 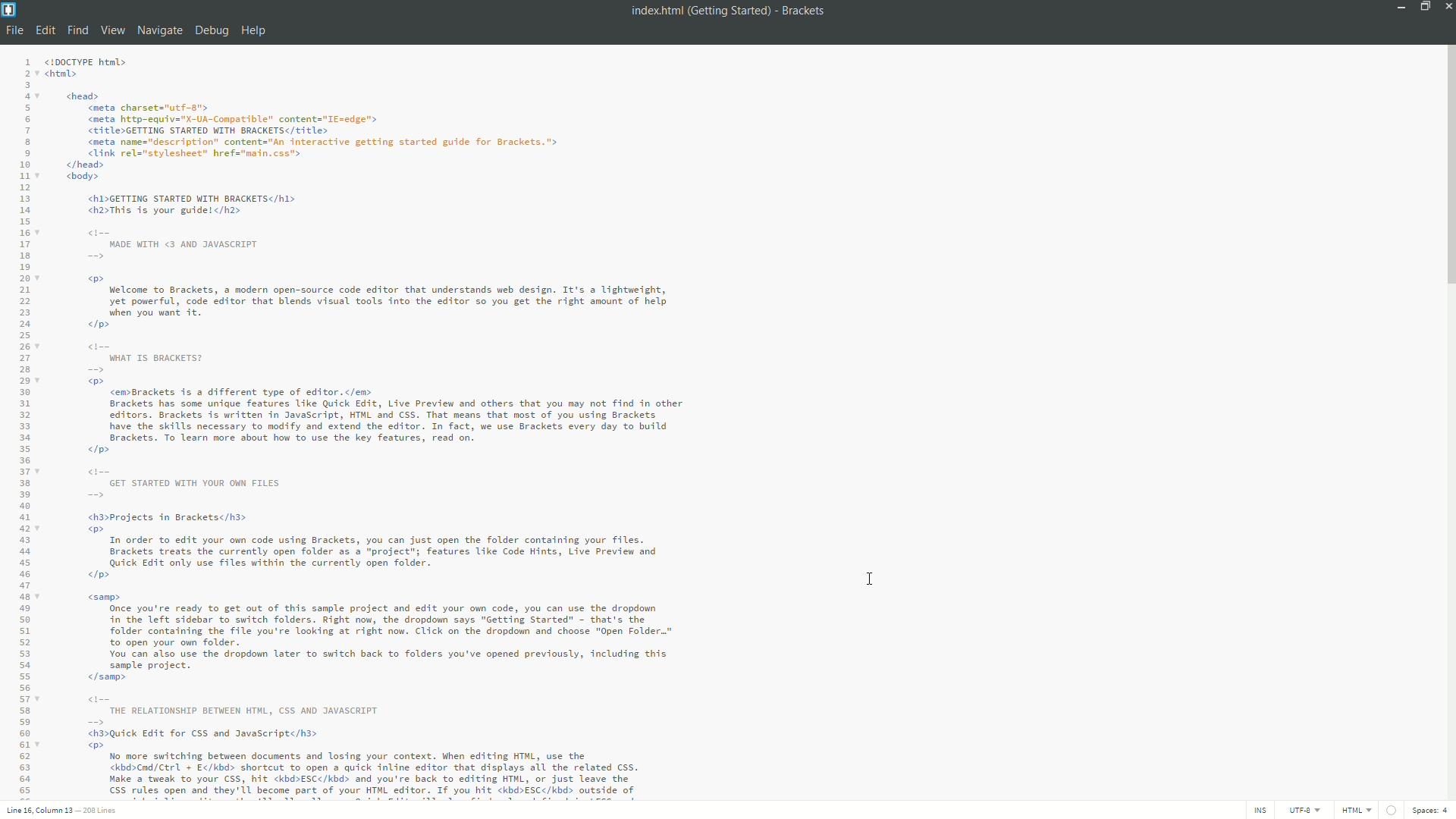 I want to click on ins, so click(x=1258, y=811).